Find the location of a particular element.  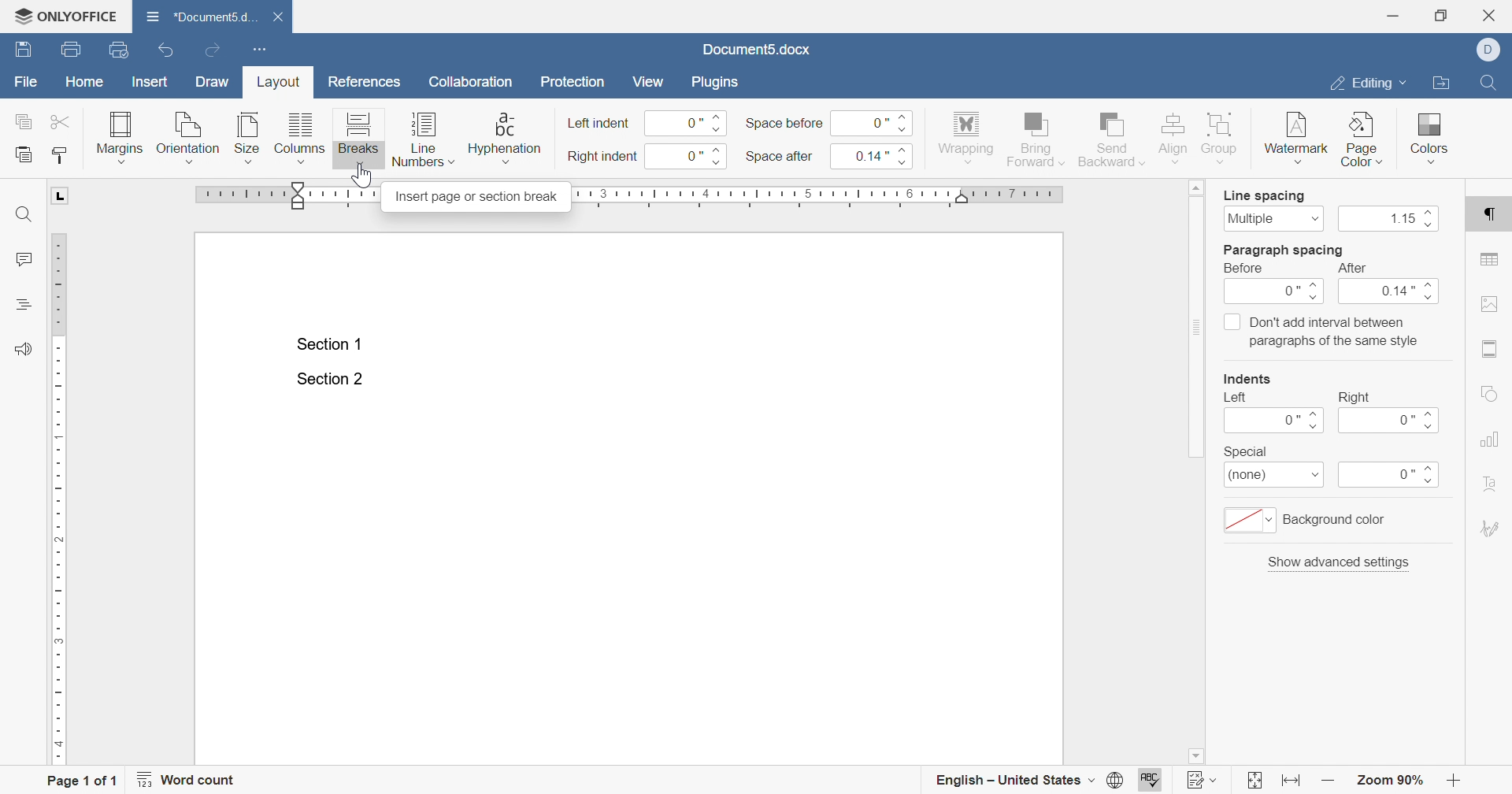

1.15 is located at coordinates (1392, 220).